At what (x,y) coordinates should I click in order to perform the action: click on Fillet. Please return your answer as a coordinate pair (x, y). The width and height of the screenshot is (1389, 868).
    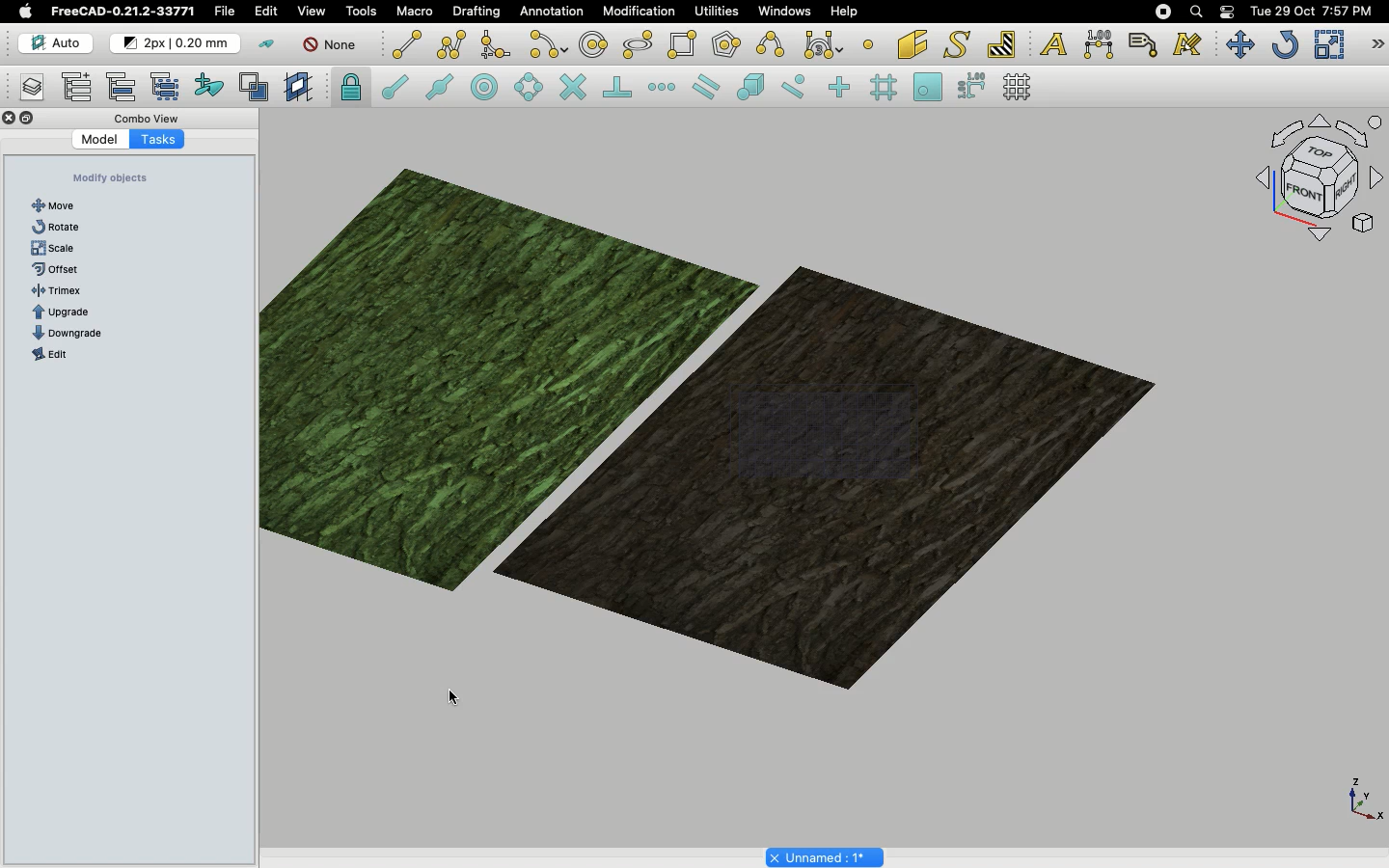
    Looking at the image, I should click on (494, 47).